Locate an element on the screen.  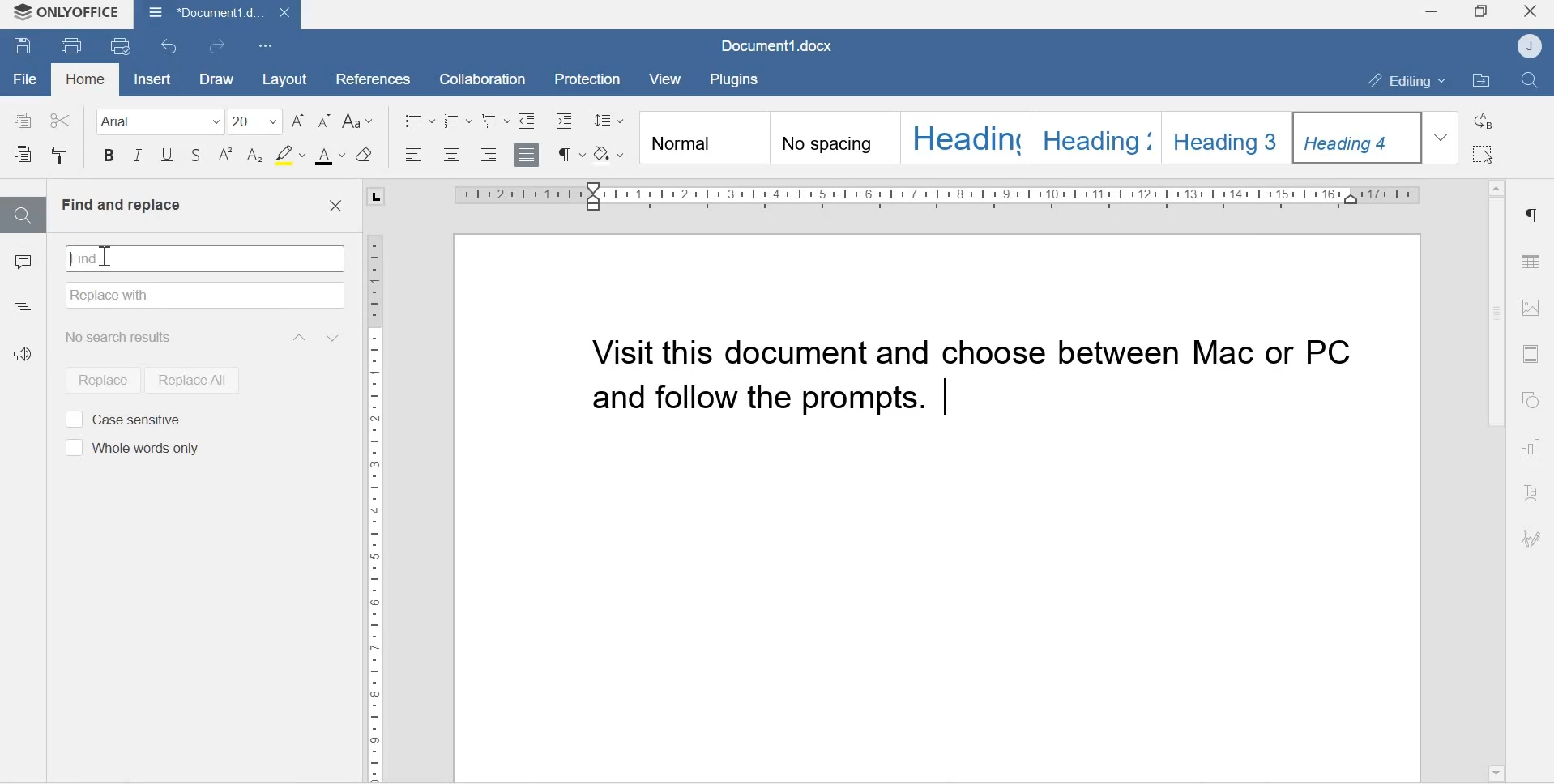
Open File location is located at coordinates (1481, 82).